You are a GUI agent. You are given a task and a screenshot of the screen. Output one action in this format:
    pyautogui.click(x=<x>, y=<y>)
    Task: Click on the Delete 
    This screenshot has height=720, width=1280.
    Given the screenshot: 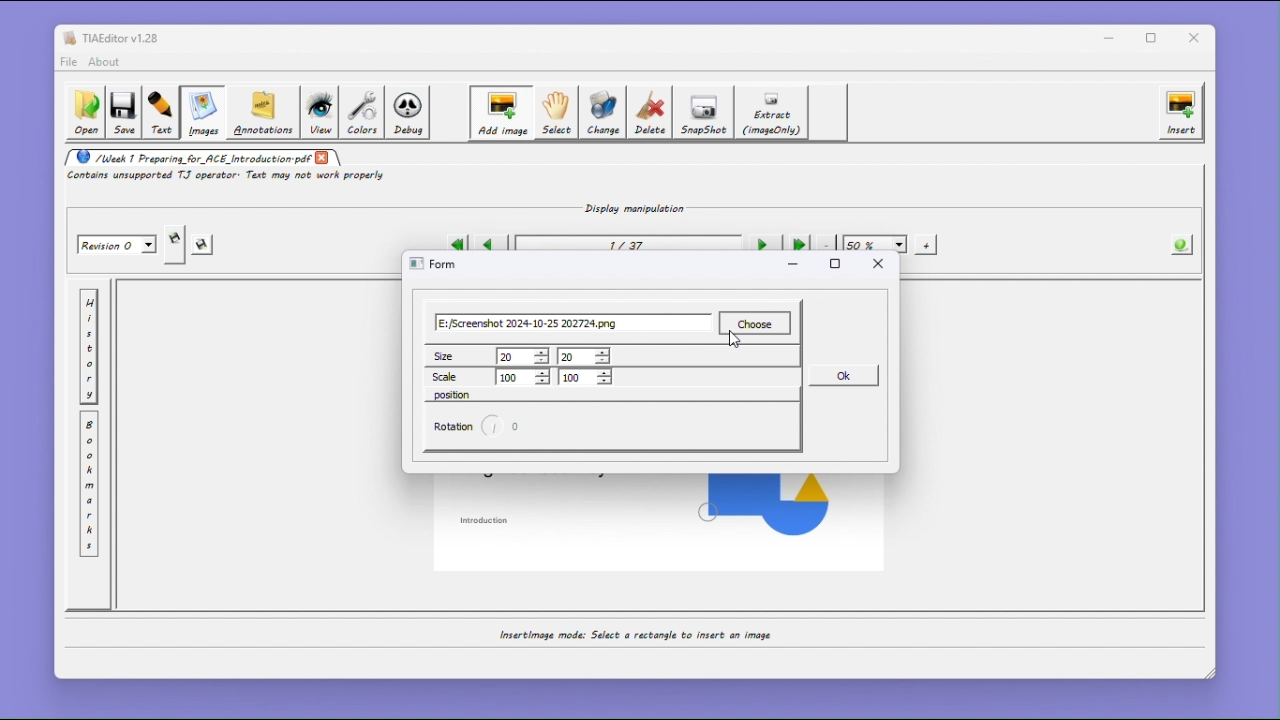 What is the action you would take?
    pyautogui.click(x=651, y=112)
    